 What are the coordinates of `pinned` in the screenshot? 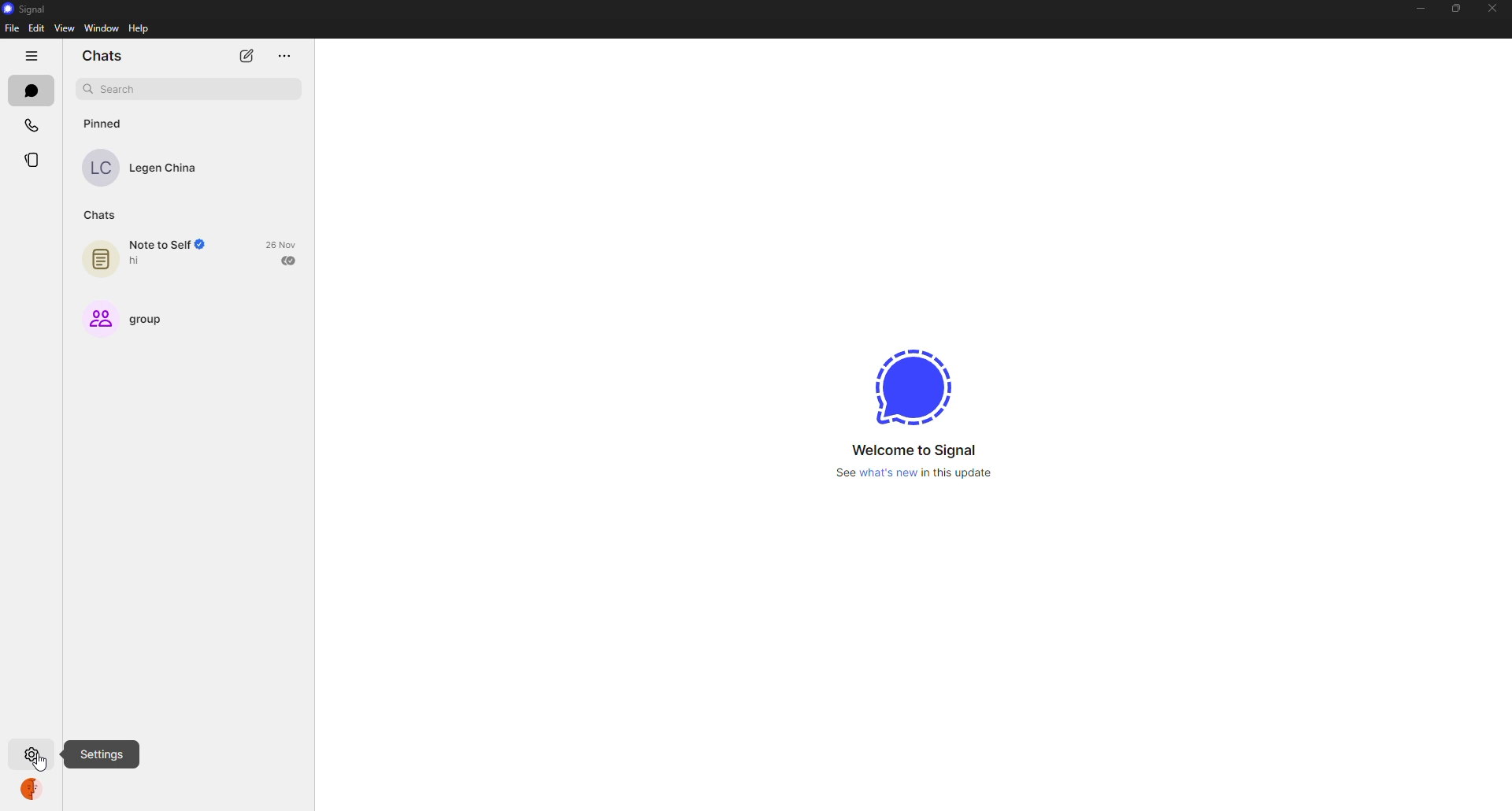 It's located at (102, 123).